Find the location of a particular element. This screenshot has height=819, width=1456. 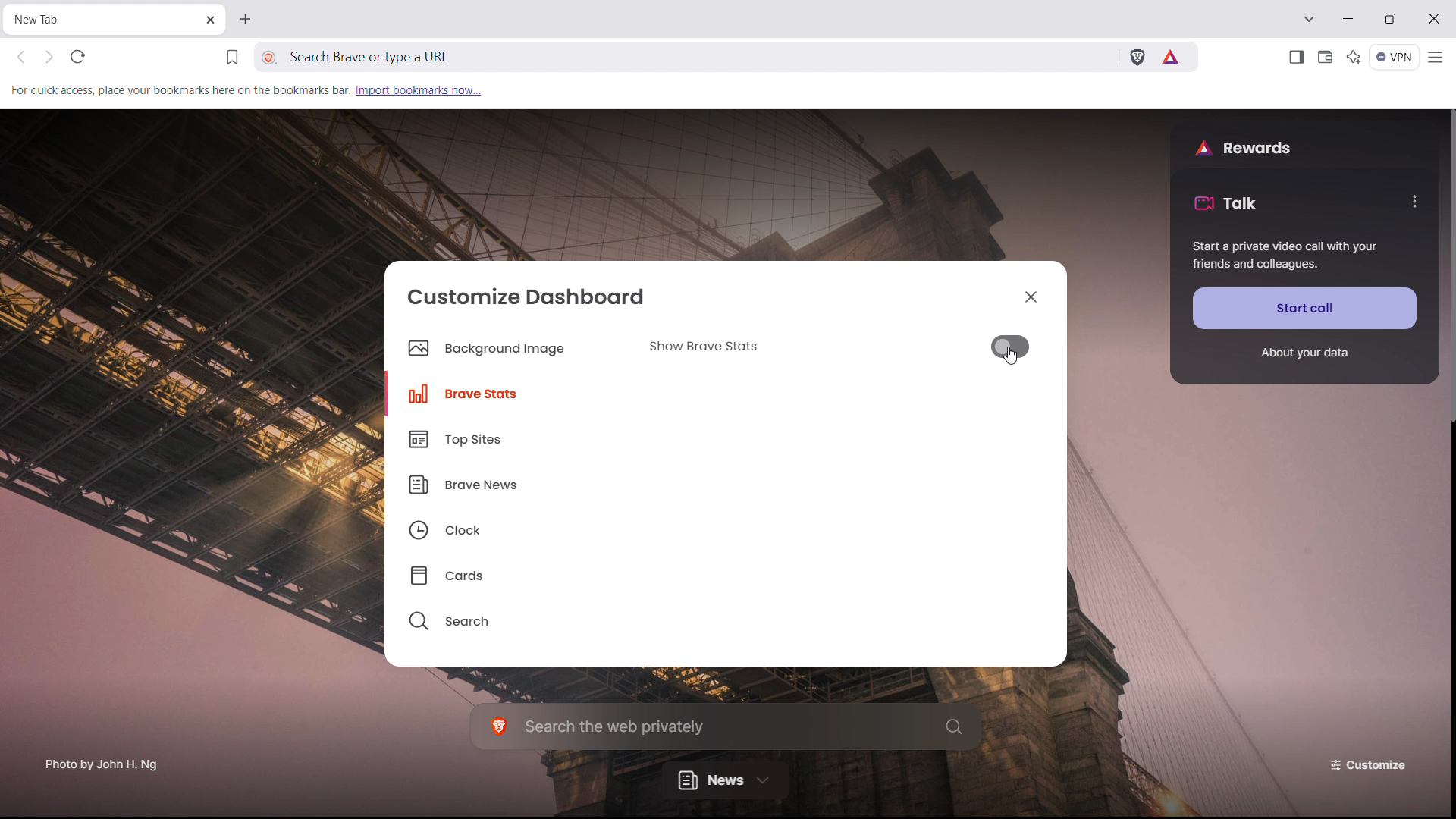

wallet is located at coordinates (1324, 58).